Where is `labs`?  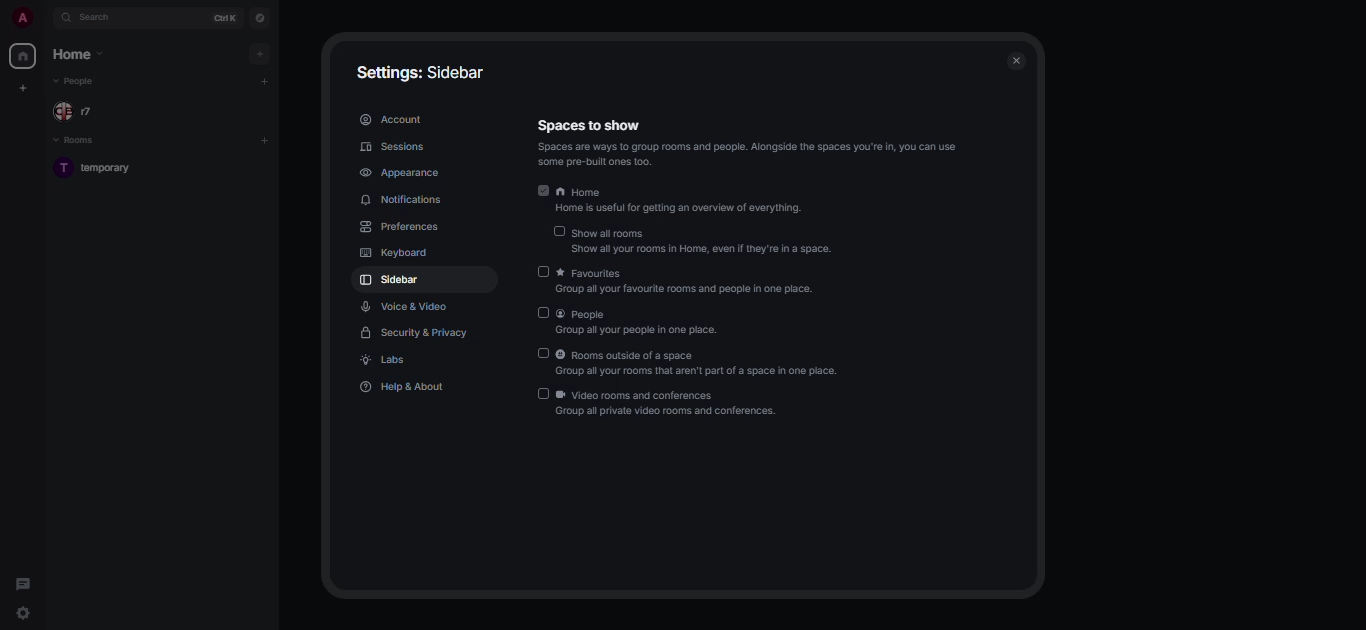 labs is located at coordinates (388, 361).